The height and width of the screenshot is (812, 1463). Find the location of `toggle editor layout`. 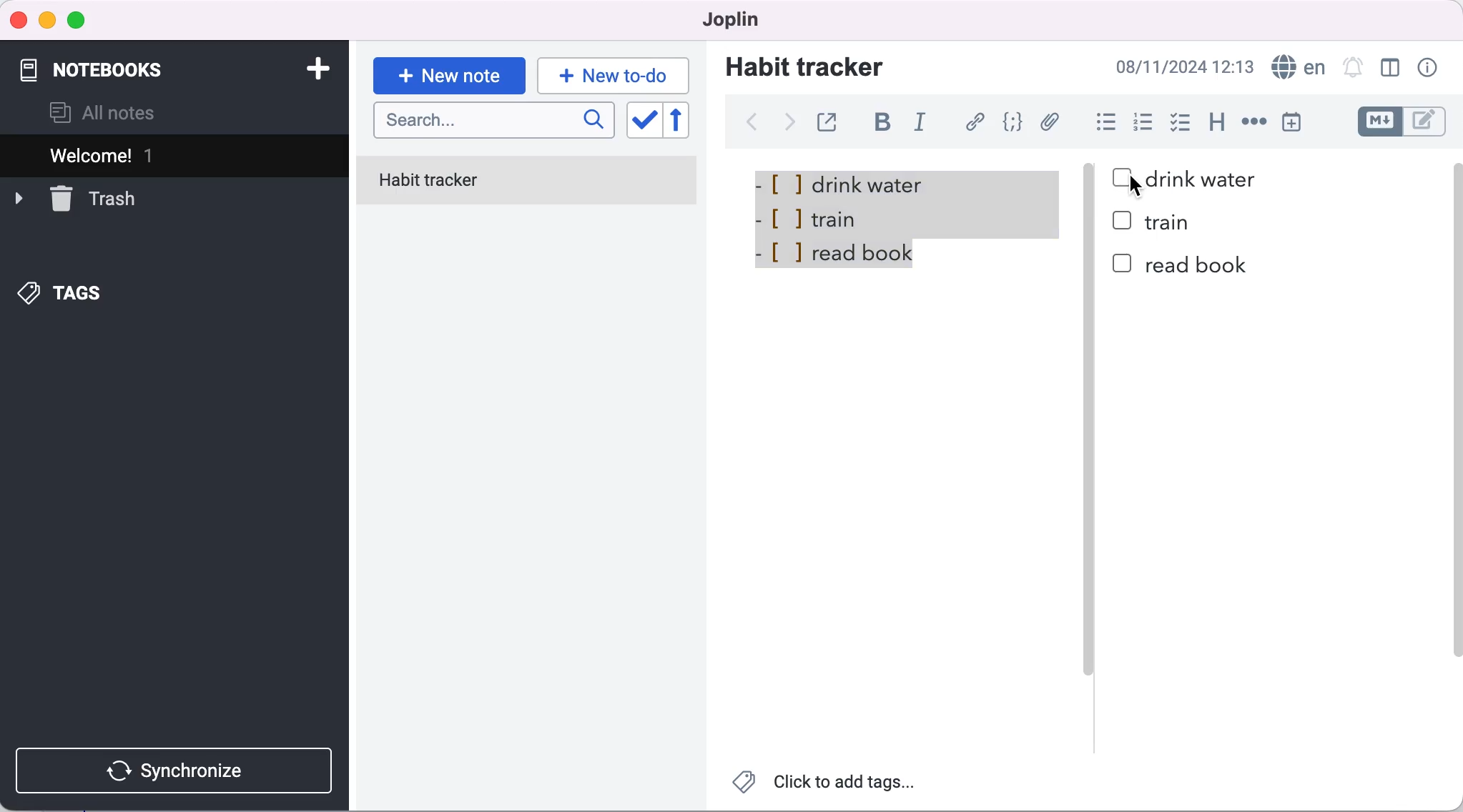

toggle editor layout is located at coordinates (1391, 68).